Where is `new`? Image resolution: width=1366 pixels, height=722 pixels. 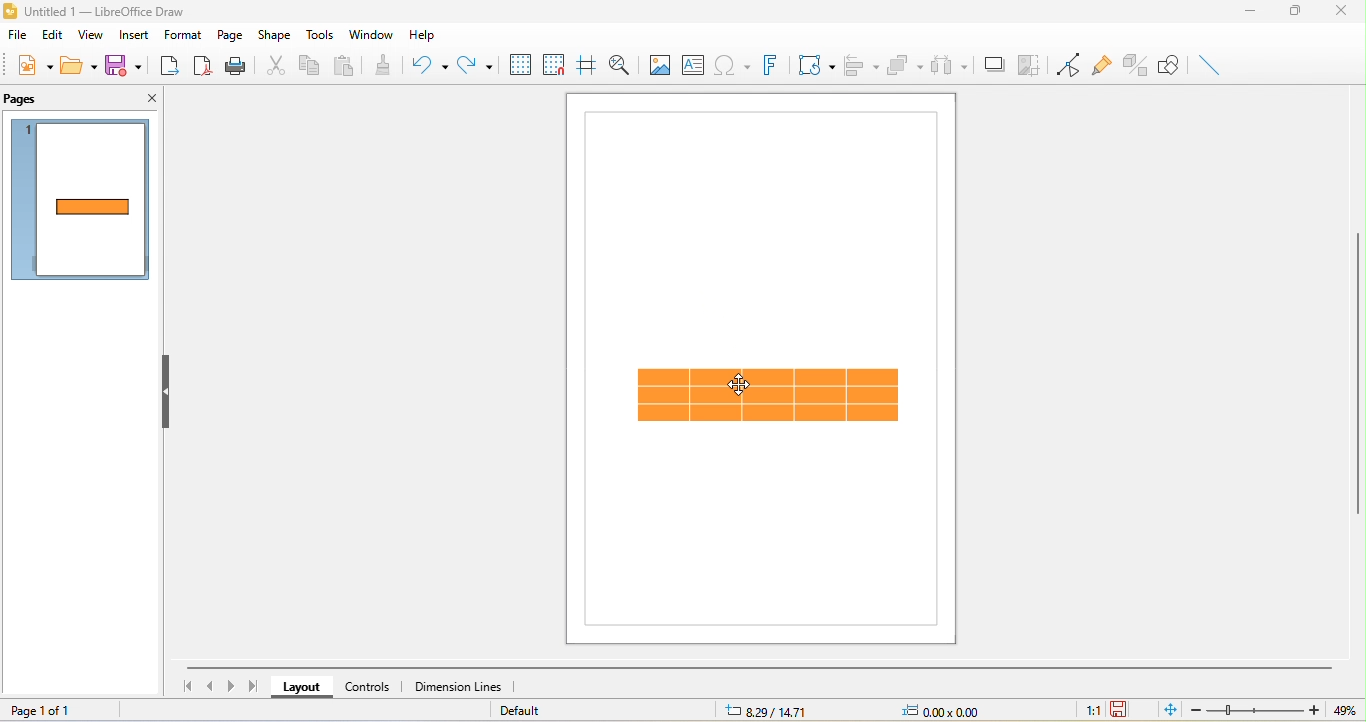 new is located at coordinates (33, 64).